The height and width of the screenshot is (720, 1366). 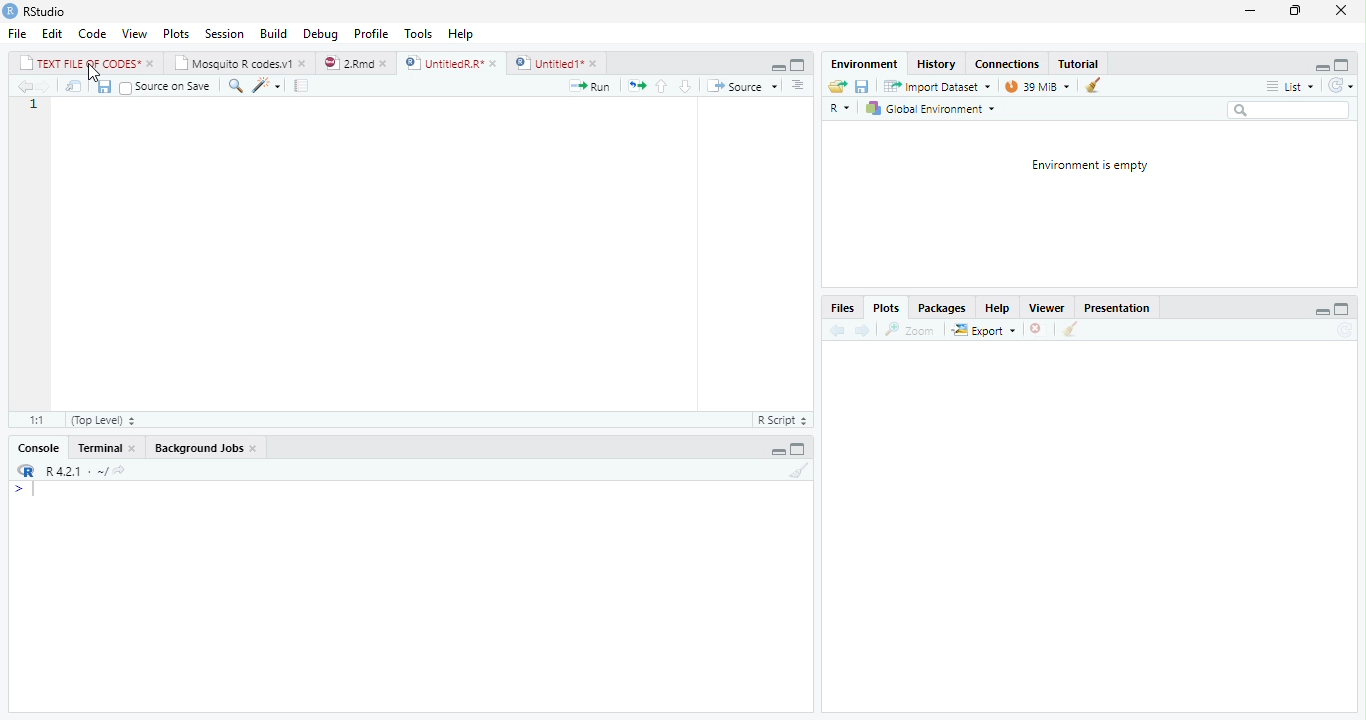 I want to click on Debug, so click(x=319, y=35).